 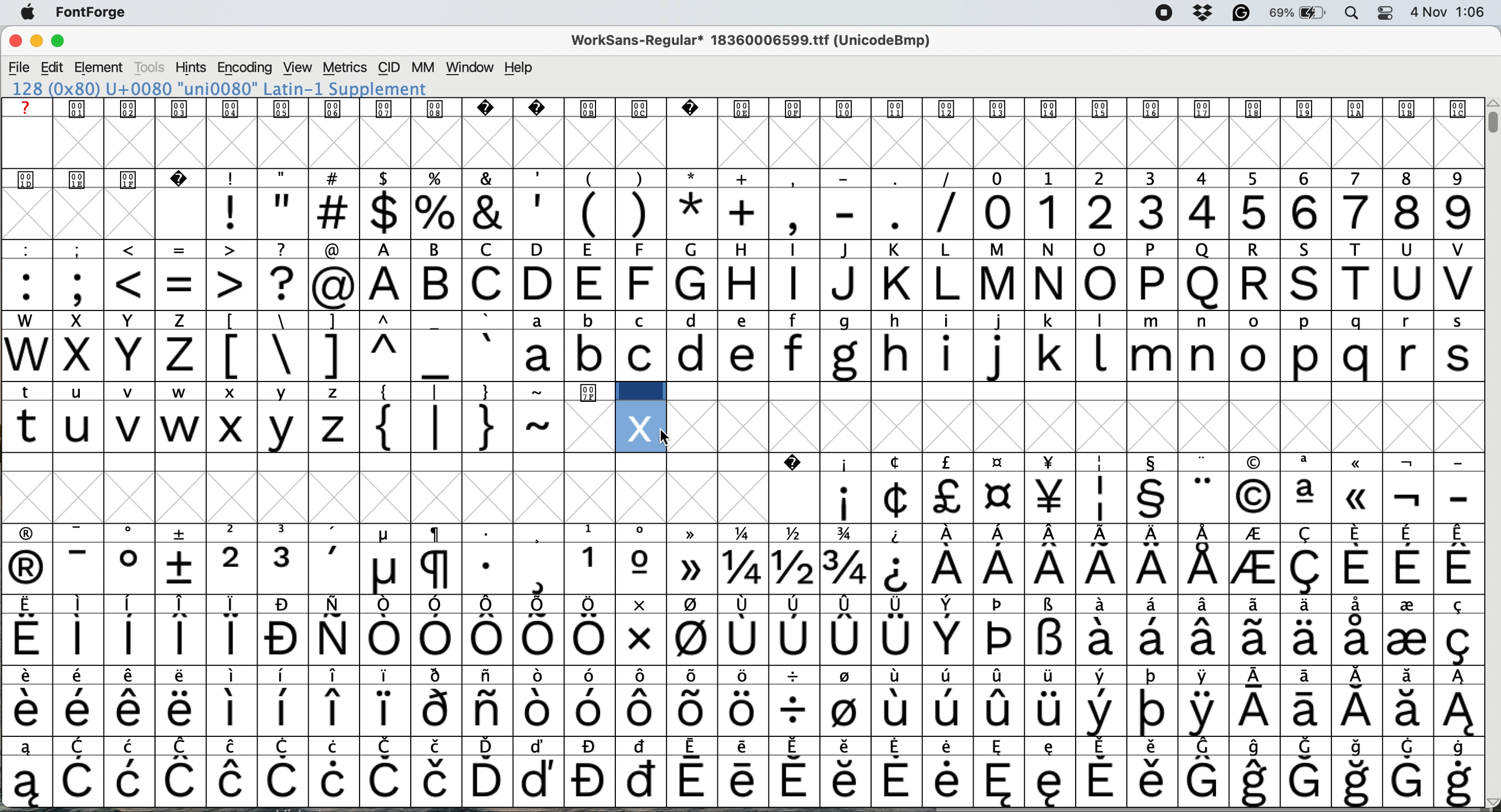 What do you see at coordinates (422, 68) in the screenshot?
I see `mm` at bounding box center [422, 68].